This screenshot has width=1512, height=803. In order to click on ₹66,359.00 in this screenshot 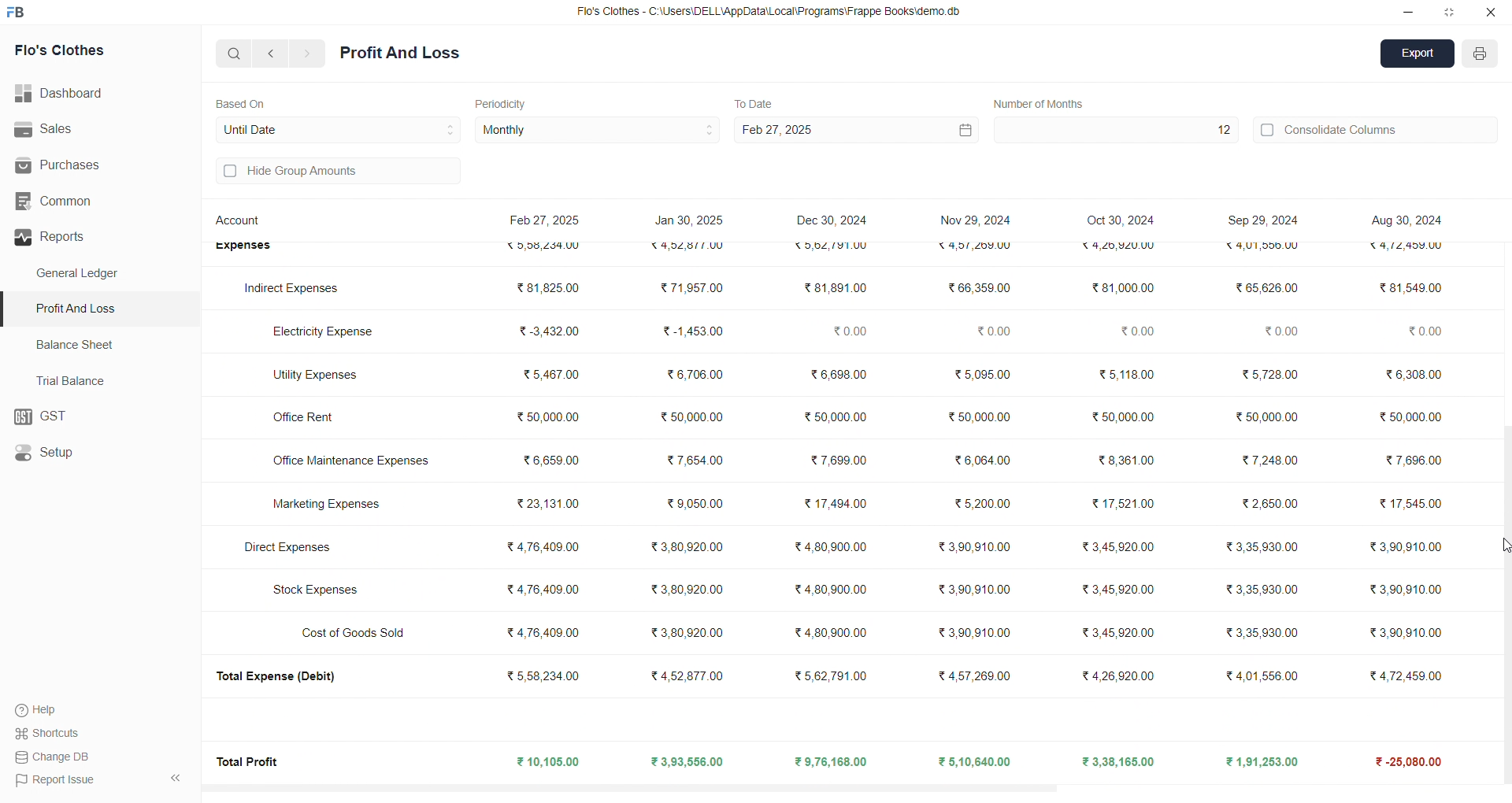, I will do `click(978, 287)`.